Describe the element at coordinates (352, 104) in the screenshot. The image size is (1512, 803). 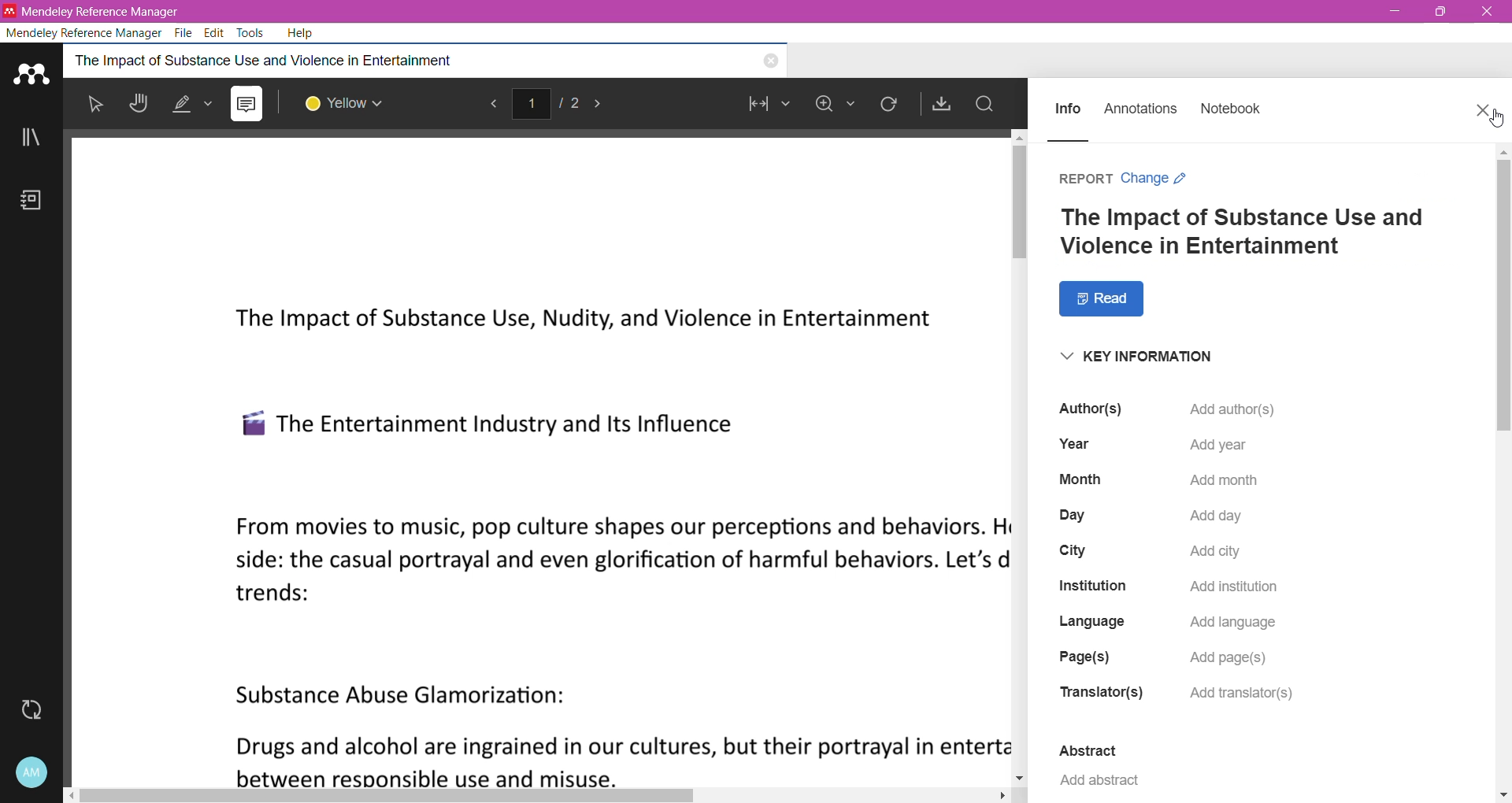
I see `Select Edit Color` at that location.